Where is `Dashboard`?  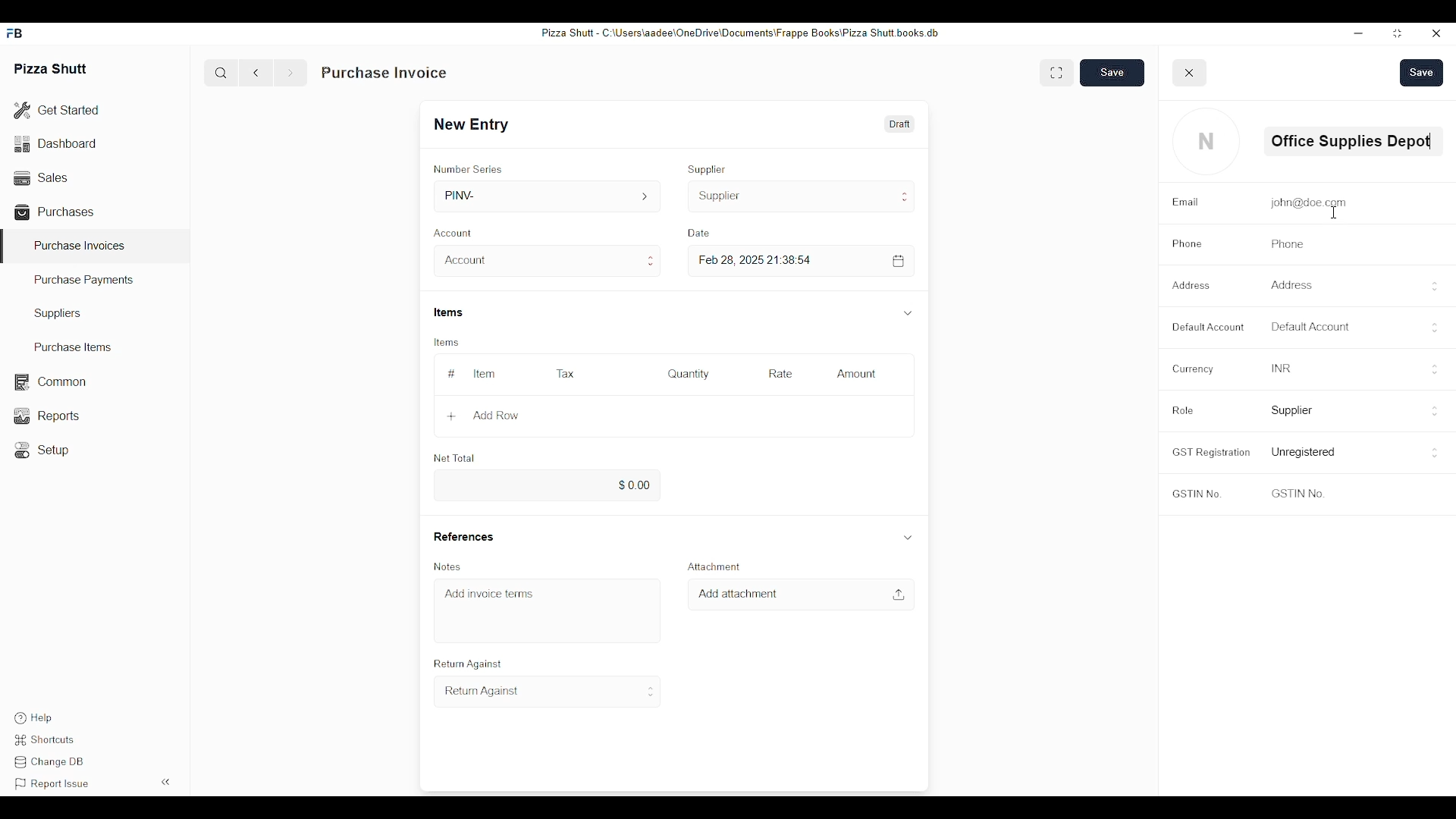
Dashboard is located at coordinates (57, 143).